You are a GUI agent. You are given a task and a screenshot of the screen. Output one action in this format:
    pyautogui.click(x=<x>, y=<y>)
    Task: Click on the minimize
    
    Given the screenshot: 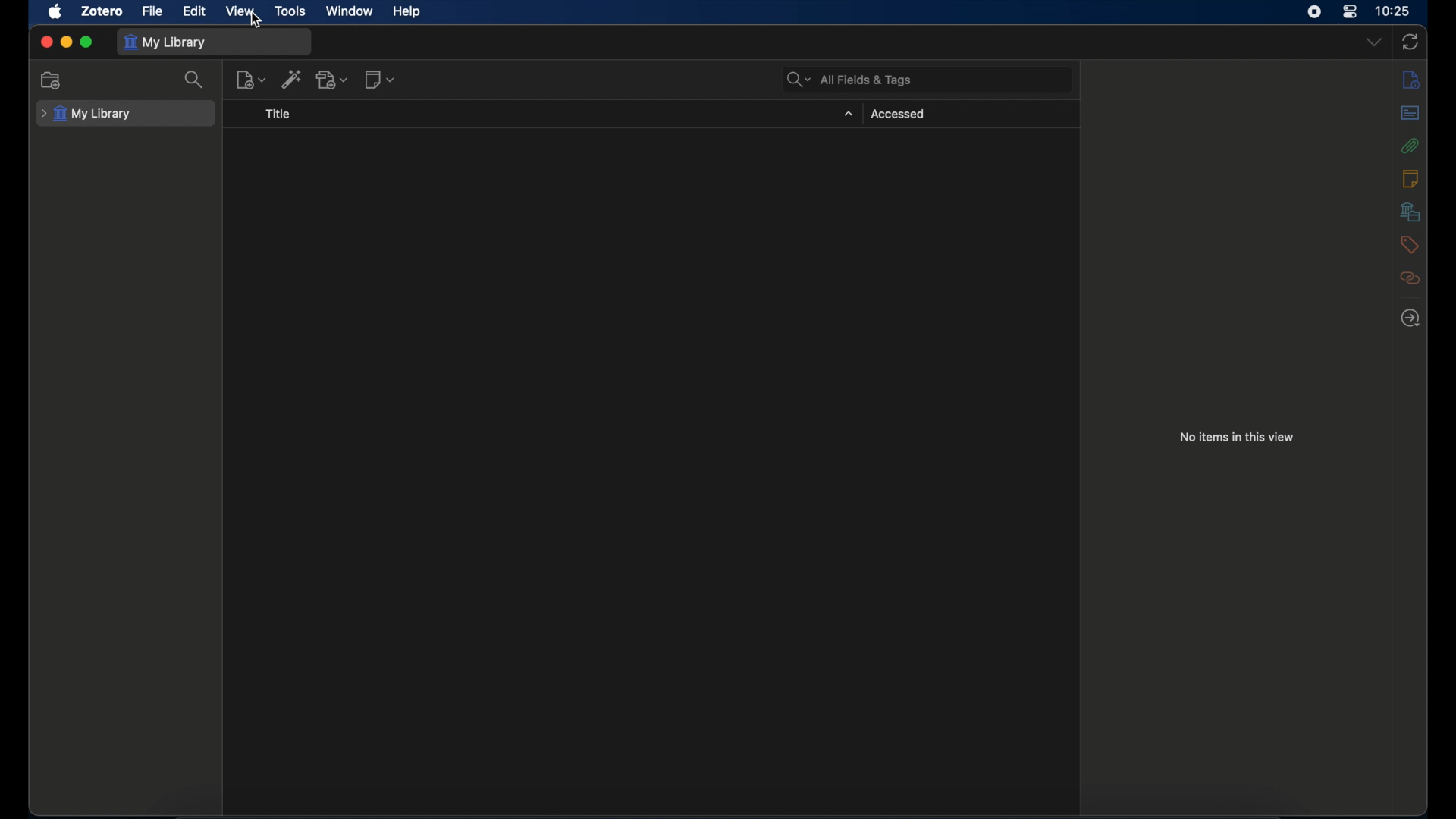 What is the action you would take?
    pyautogui.click(x=65, y=42)
    